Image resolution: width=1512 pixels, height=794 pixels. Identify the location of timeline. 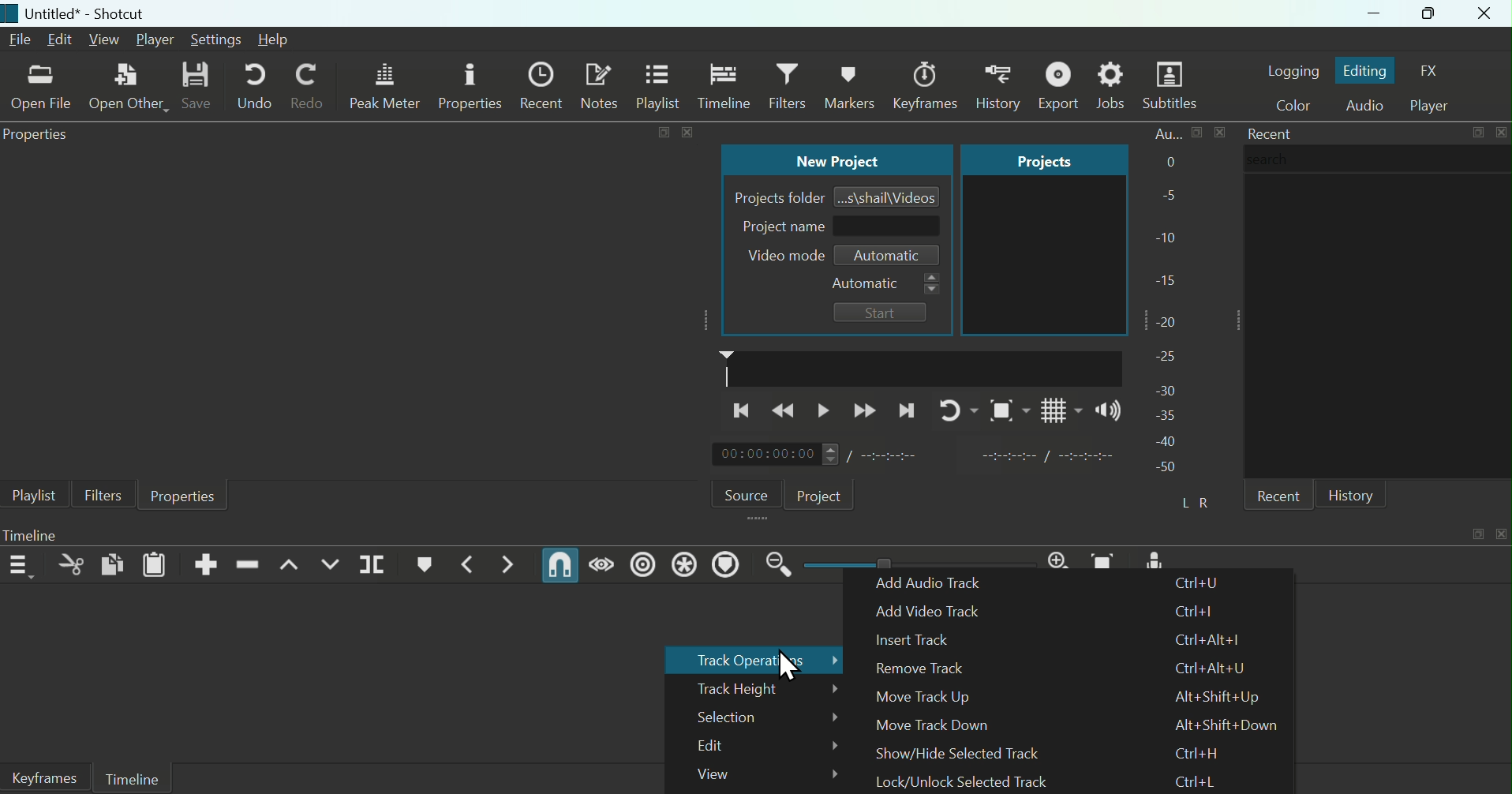
(922, 367).